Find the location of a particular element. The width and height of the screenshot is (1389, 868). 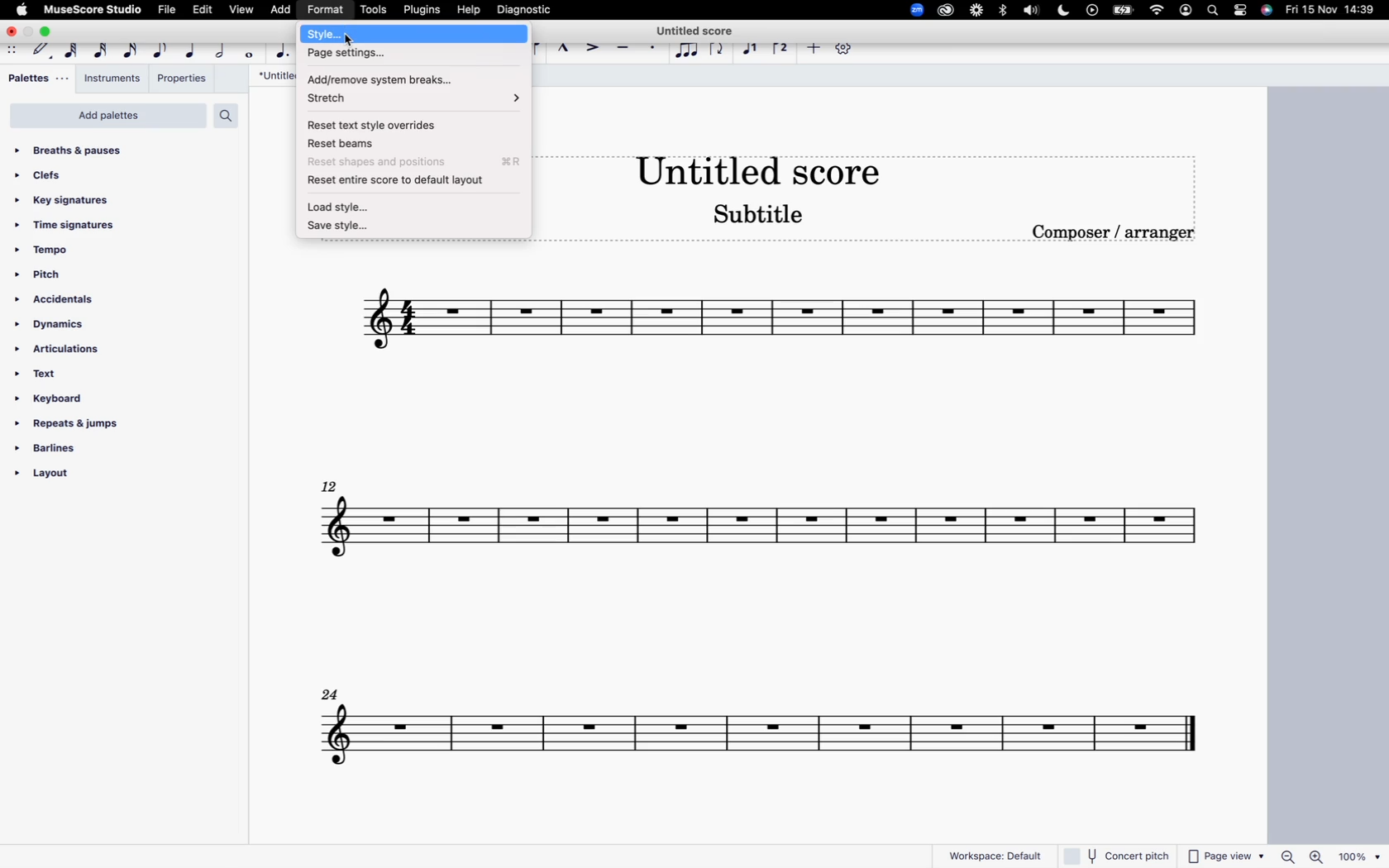

barlines is located at coordinates (53, 450).